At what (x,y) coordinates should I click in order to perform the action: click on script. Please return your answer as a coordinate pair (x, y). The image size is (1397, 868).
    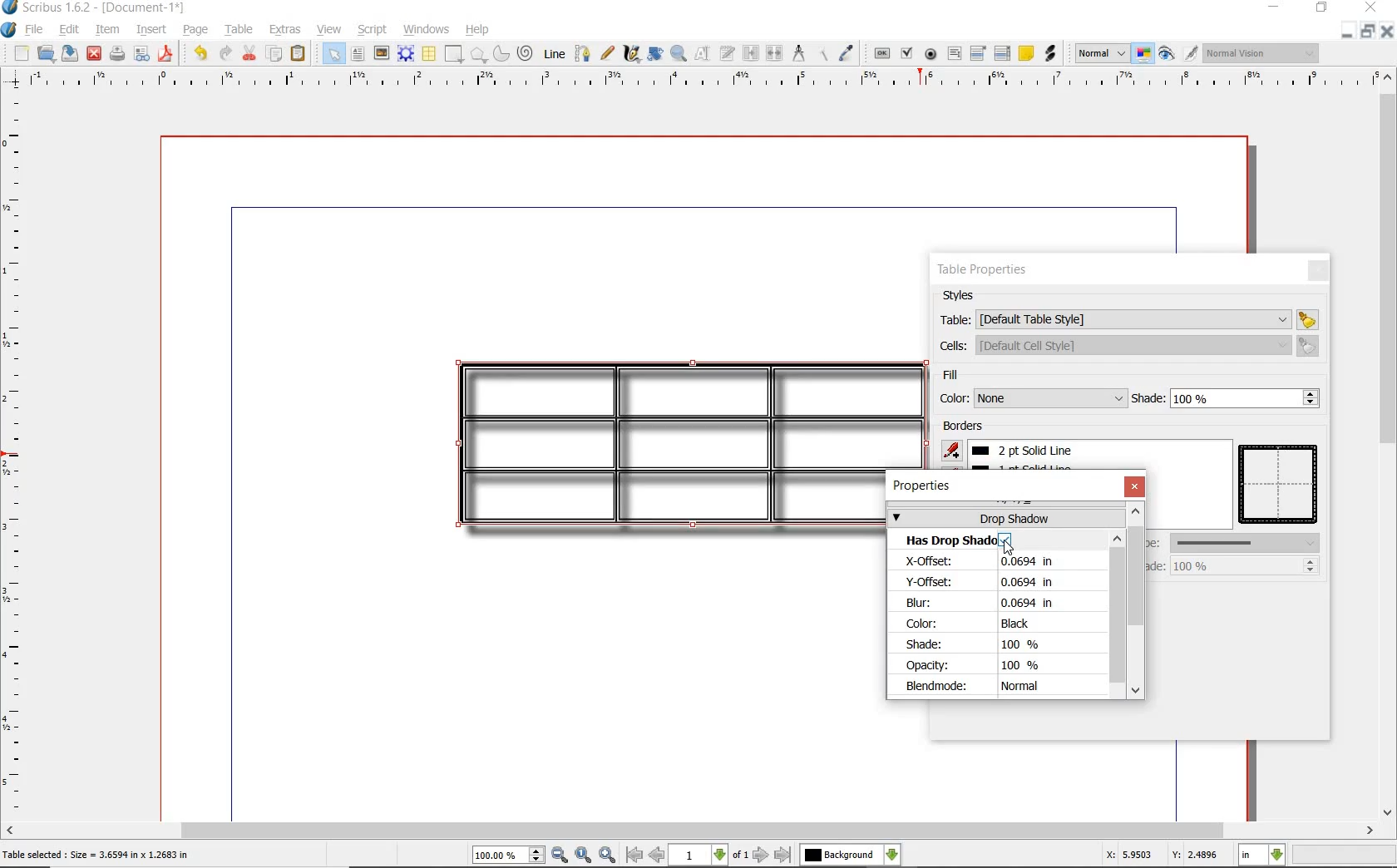
    Looking at the image, I should click on (373, 31).